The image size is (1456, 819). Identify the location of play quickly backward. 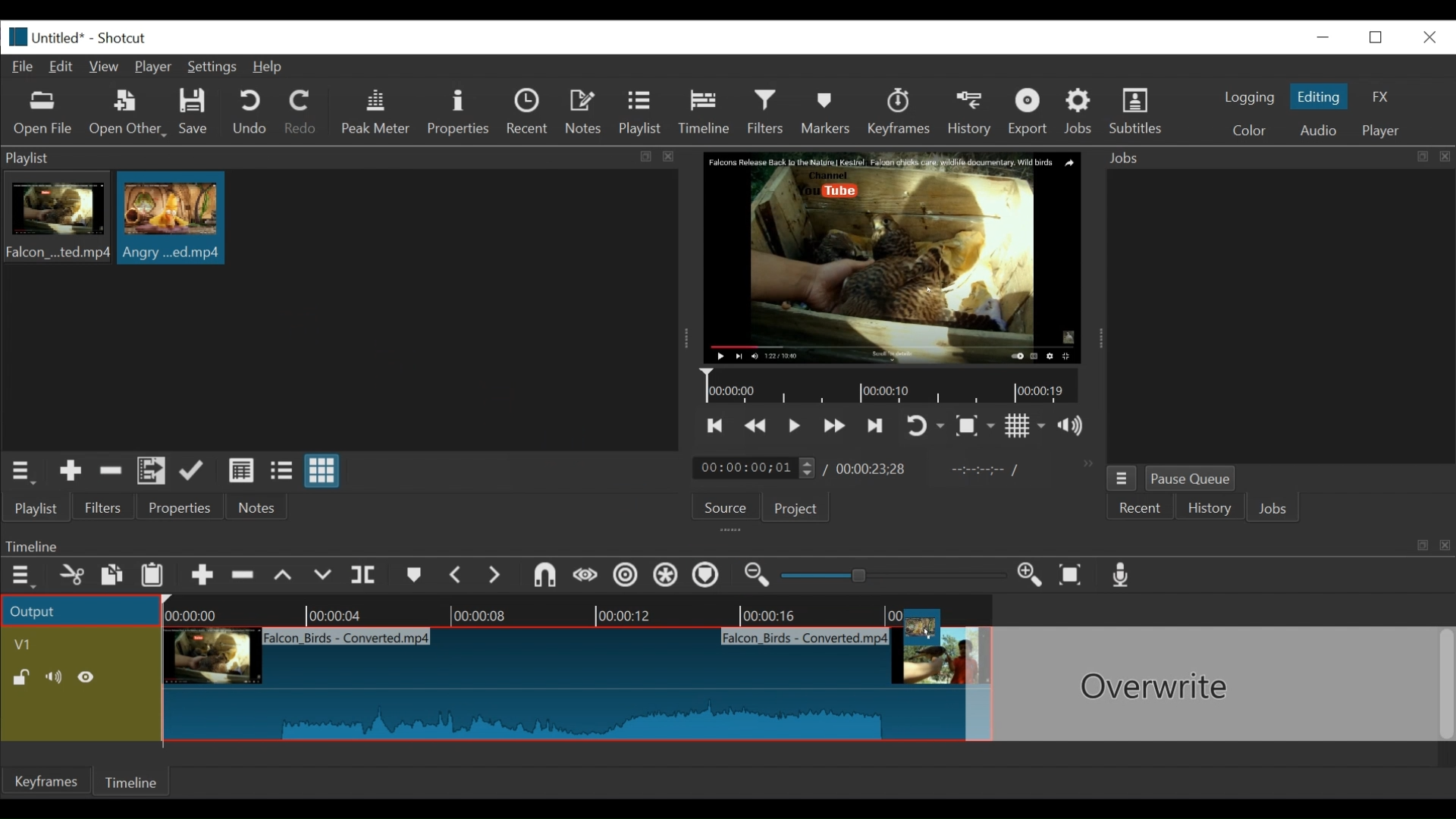
(756, 426).